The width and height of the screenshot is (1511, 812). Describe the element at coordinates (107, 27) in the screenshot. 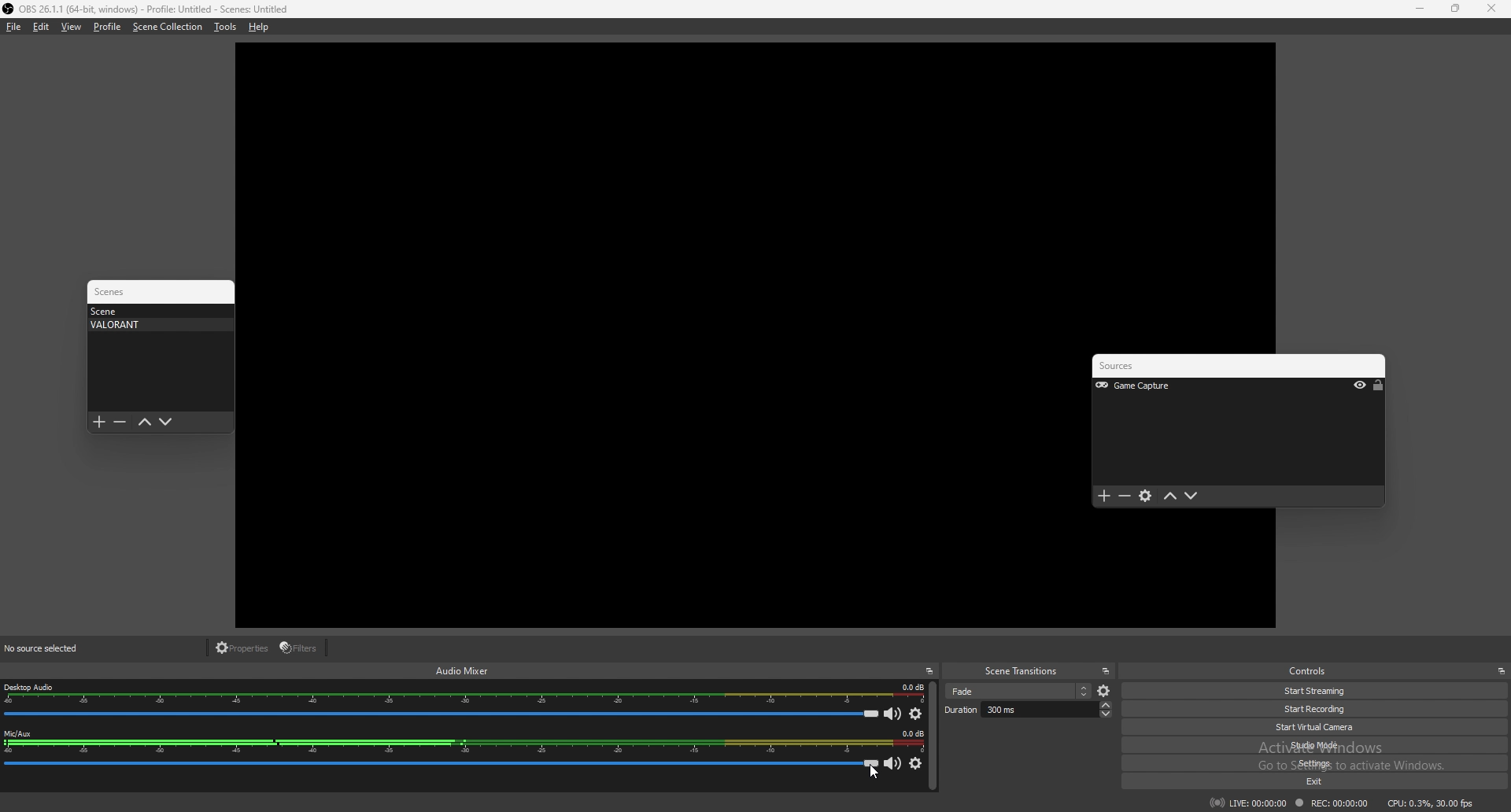

I see `profile` at that location.